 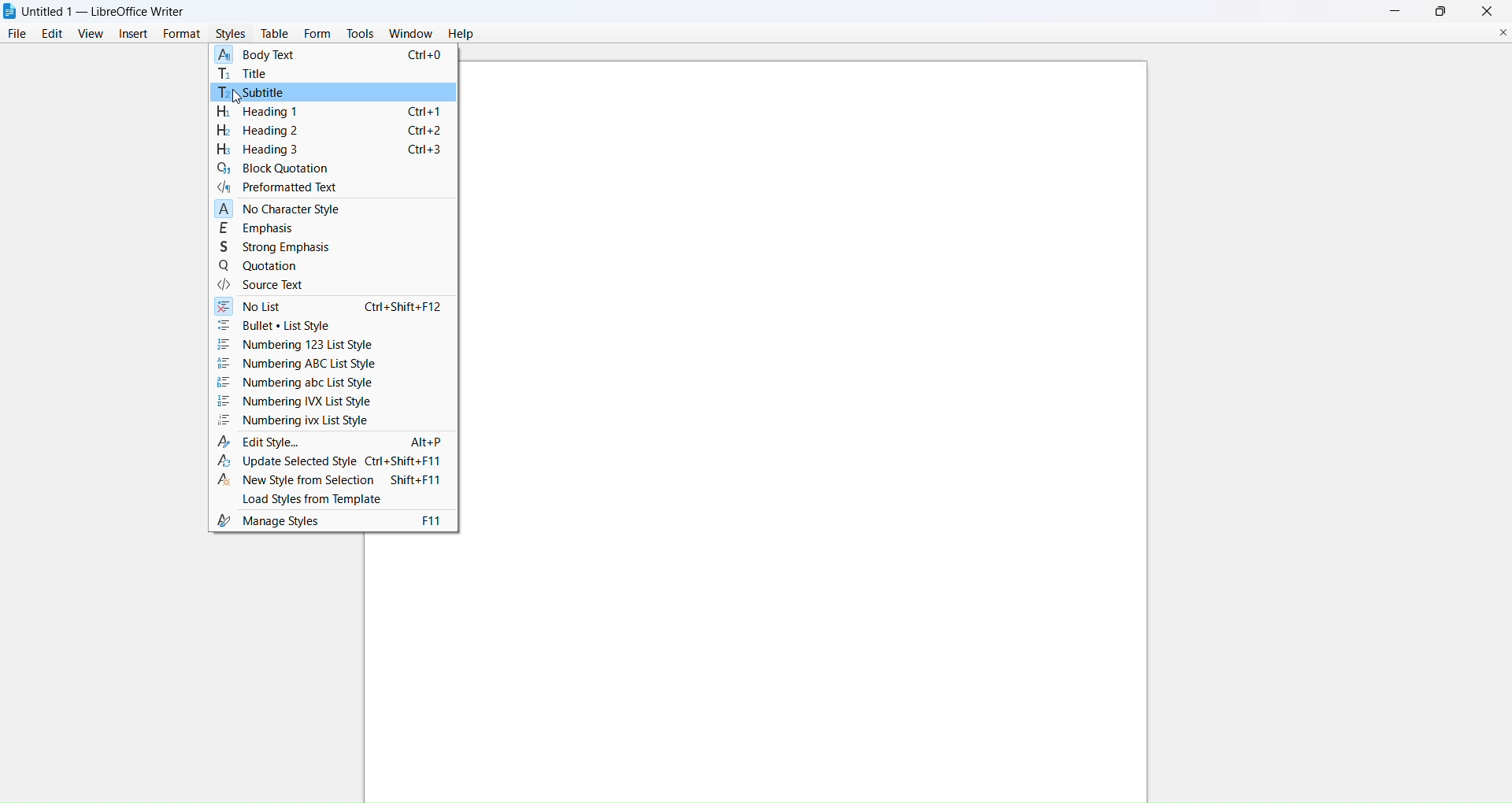 I want to click on close, so click(x=1488, y=10).